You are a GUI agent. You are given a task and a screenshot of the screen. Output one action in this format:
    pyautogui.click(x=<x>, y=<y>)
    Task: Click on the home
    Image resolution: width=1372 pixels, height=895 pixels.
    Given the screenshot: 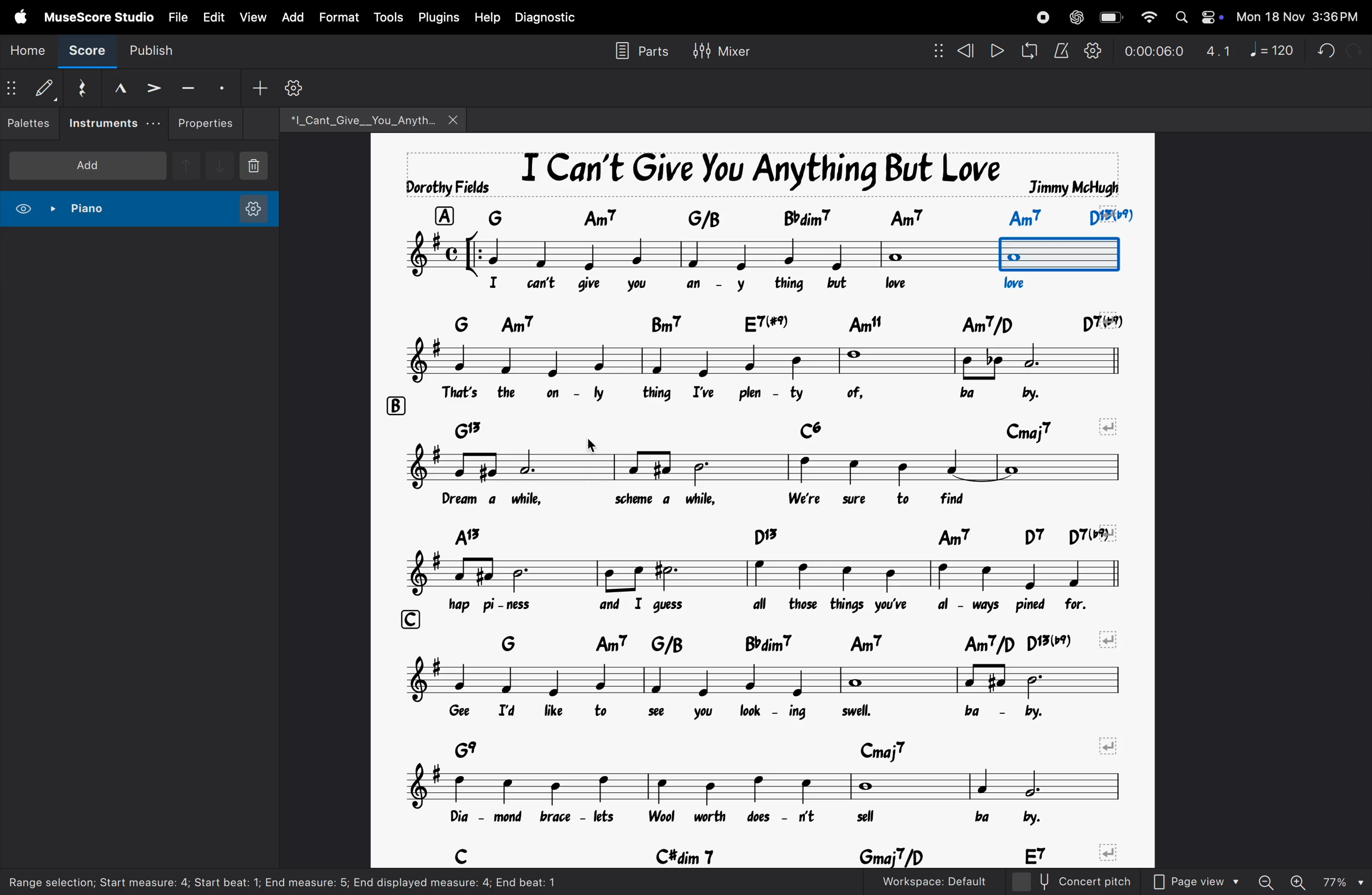 What is the action you would take?
    pyautogui.click(x=25, y=49)
    